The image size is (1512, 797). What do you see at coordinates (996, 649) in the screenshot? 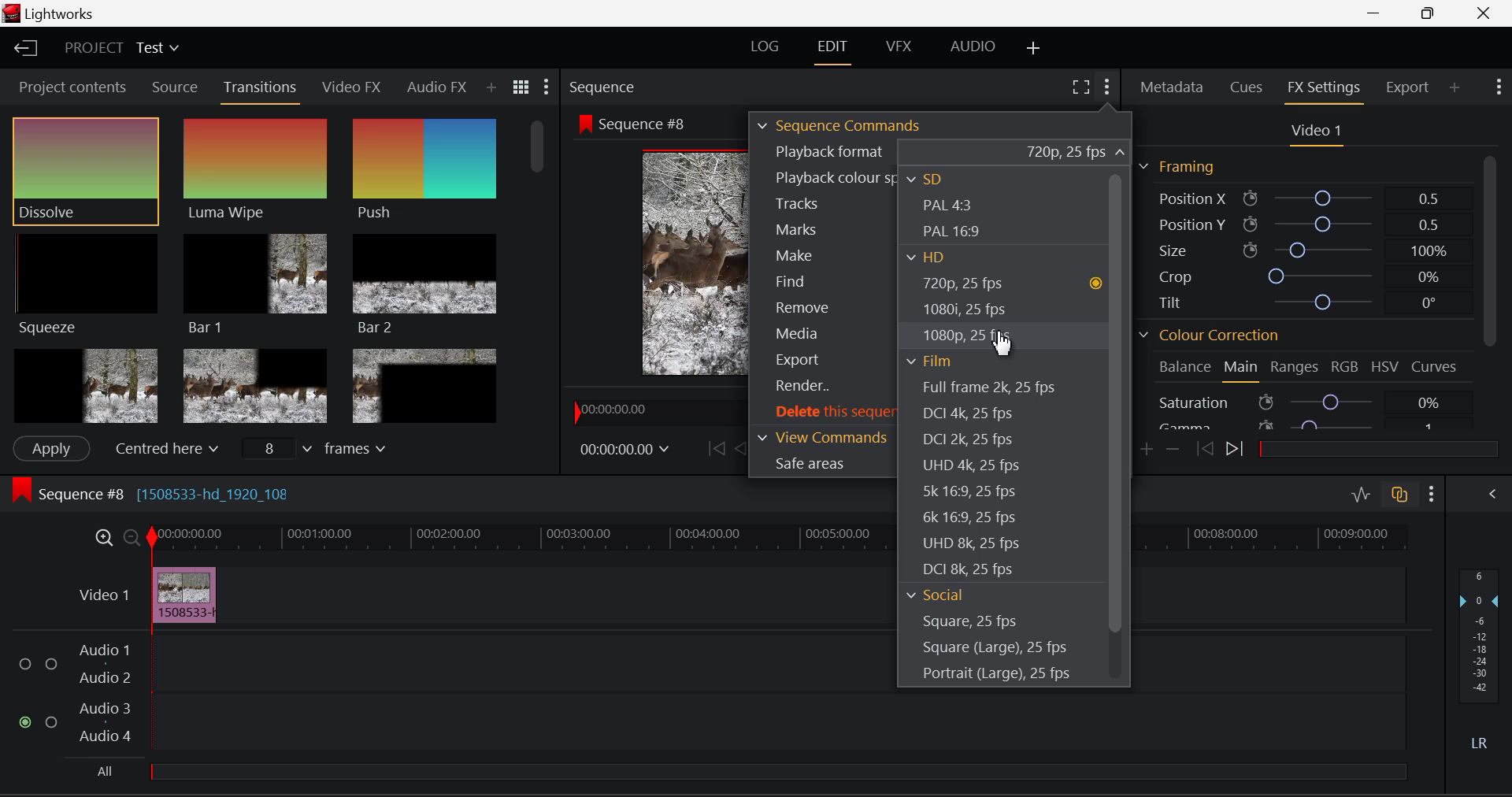
I see `Square (large)` at bounding box center [996, 649].